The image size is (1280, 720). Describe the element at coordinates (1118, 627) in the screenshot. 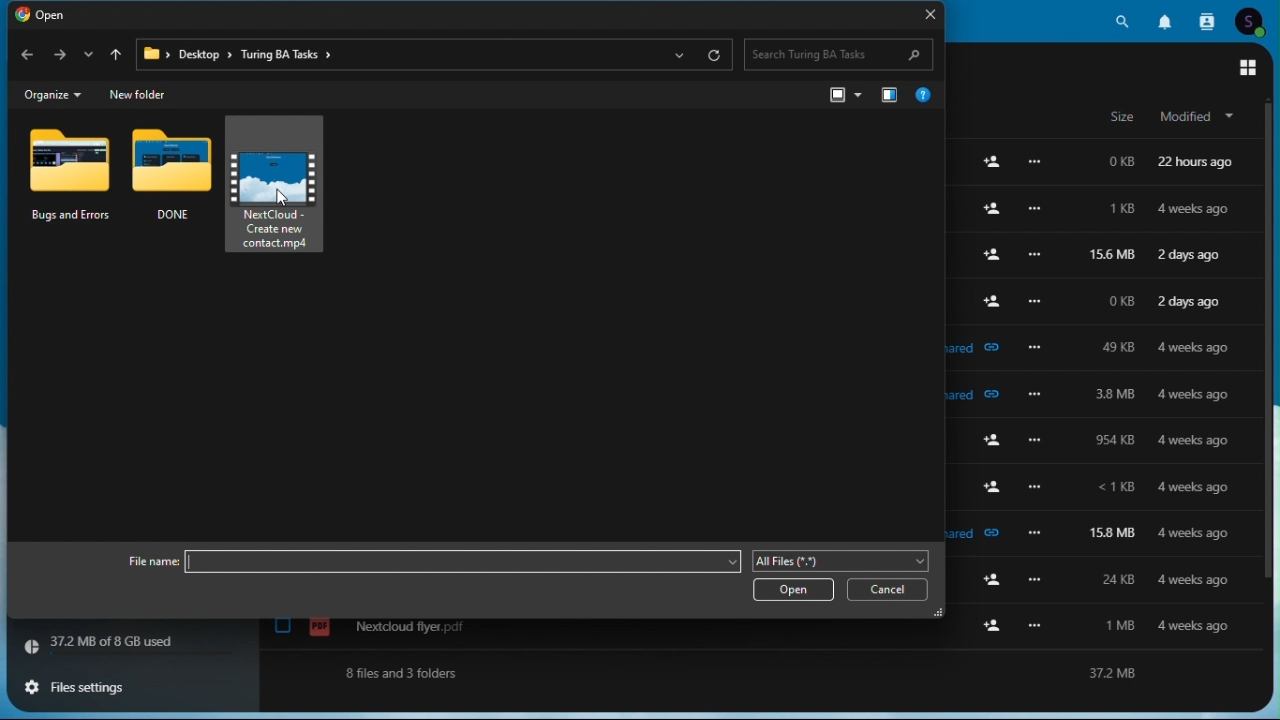

I see `1 mb` at that location.